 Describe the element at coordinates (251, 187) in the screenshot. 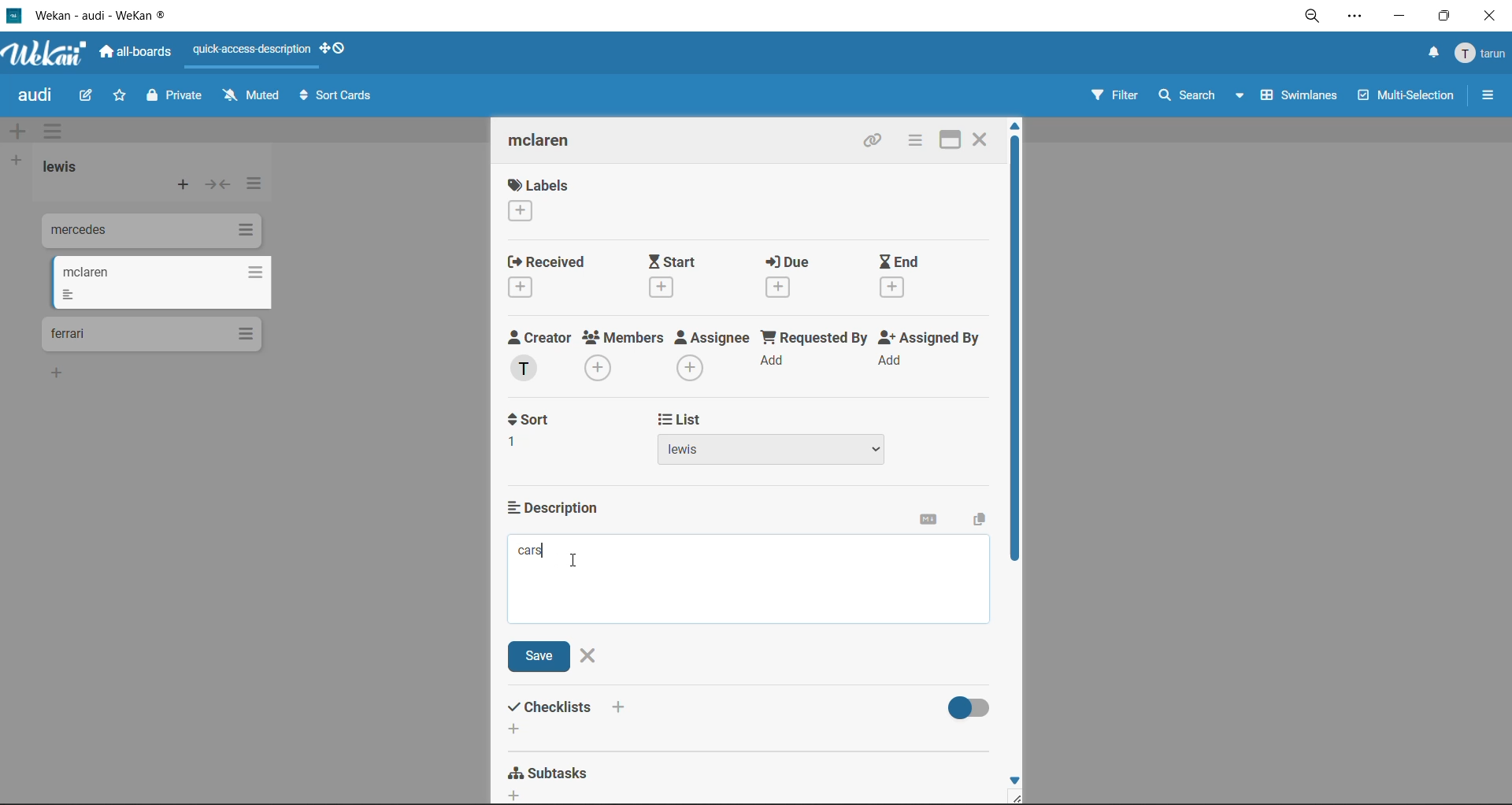

I see `list actions` at that location.